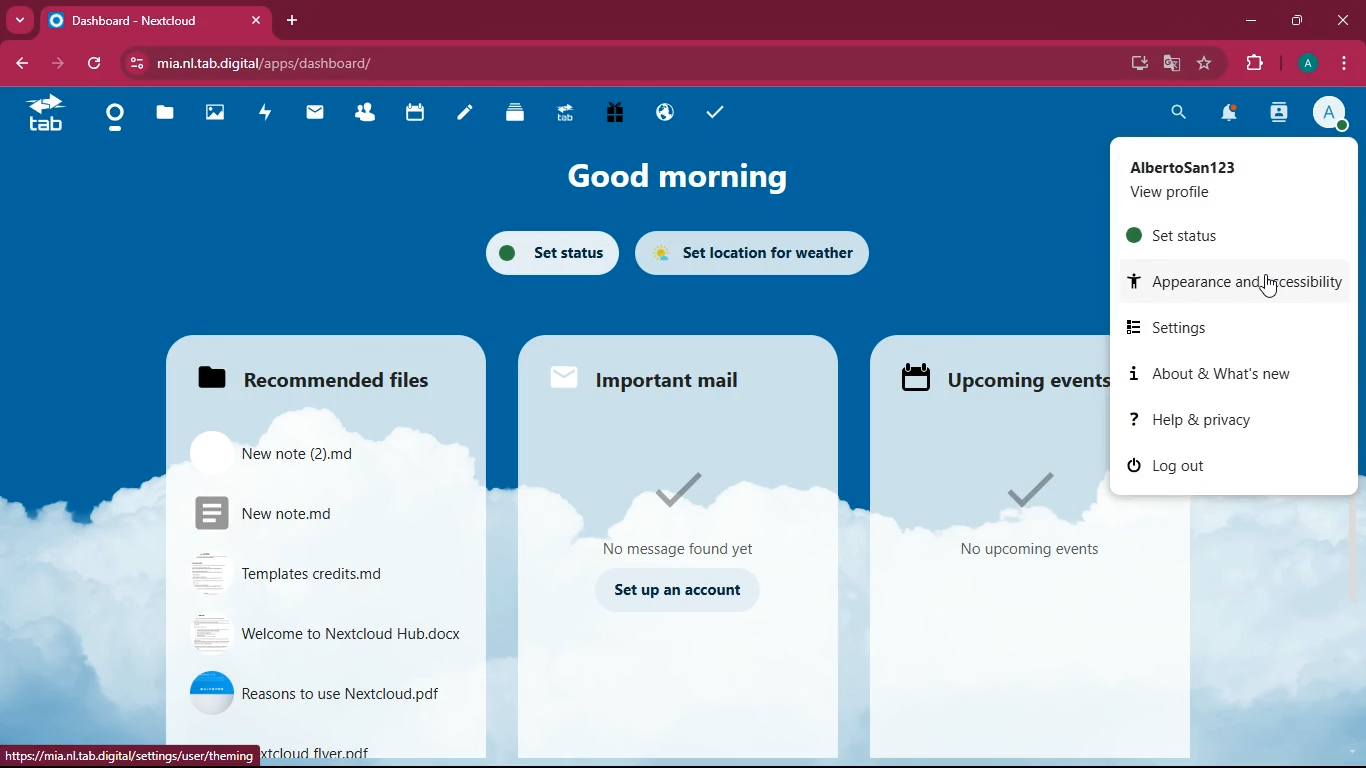 Image resolution: width=1366 pixels, height=768 pixels. What do you see at coordinates (44, 113) in the screenshot?
I see `tab` at bounding box center [44, 113].